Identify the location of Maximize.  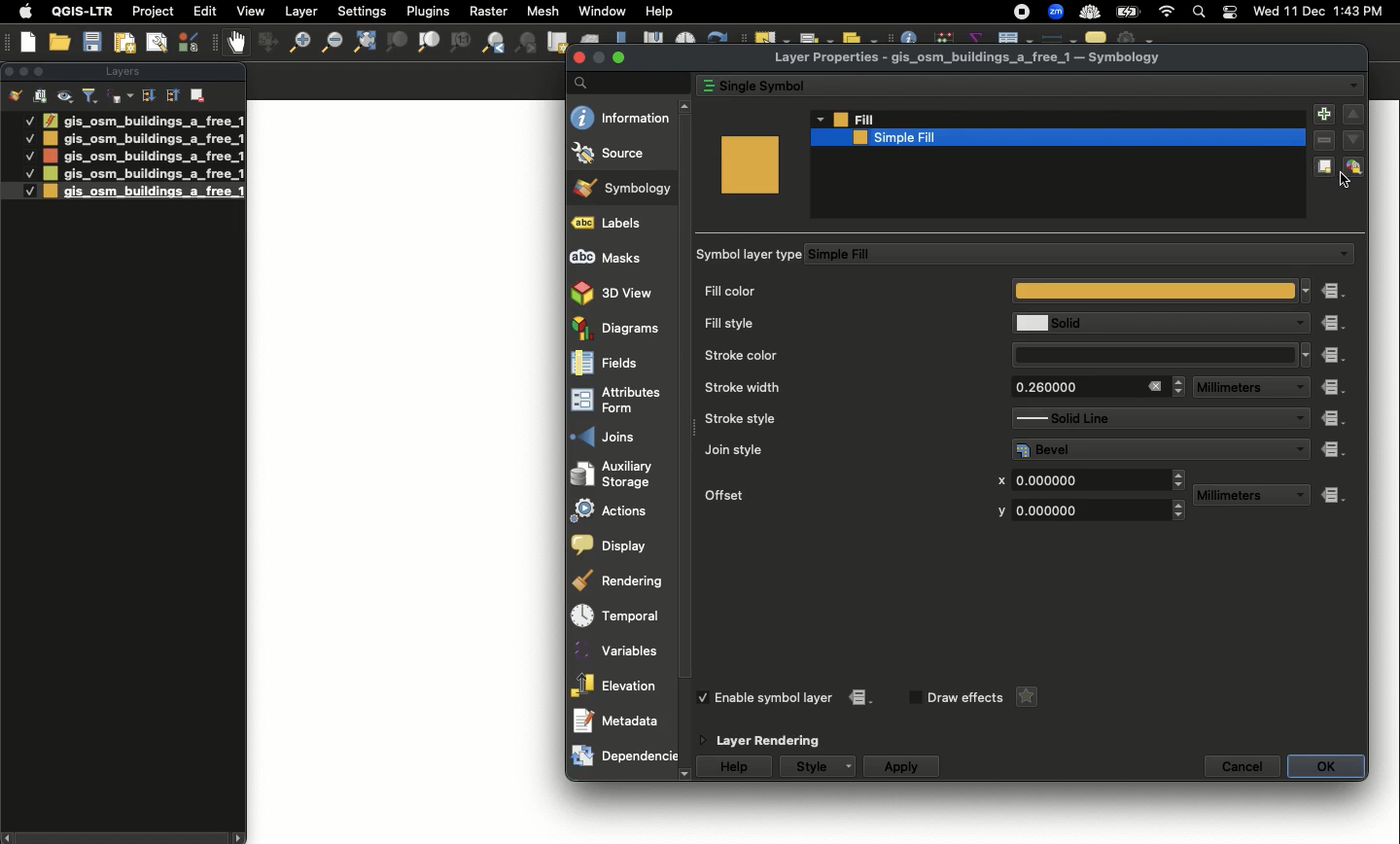
(43, 71).